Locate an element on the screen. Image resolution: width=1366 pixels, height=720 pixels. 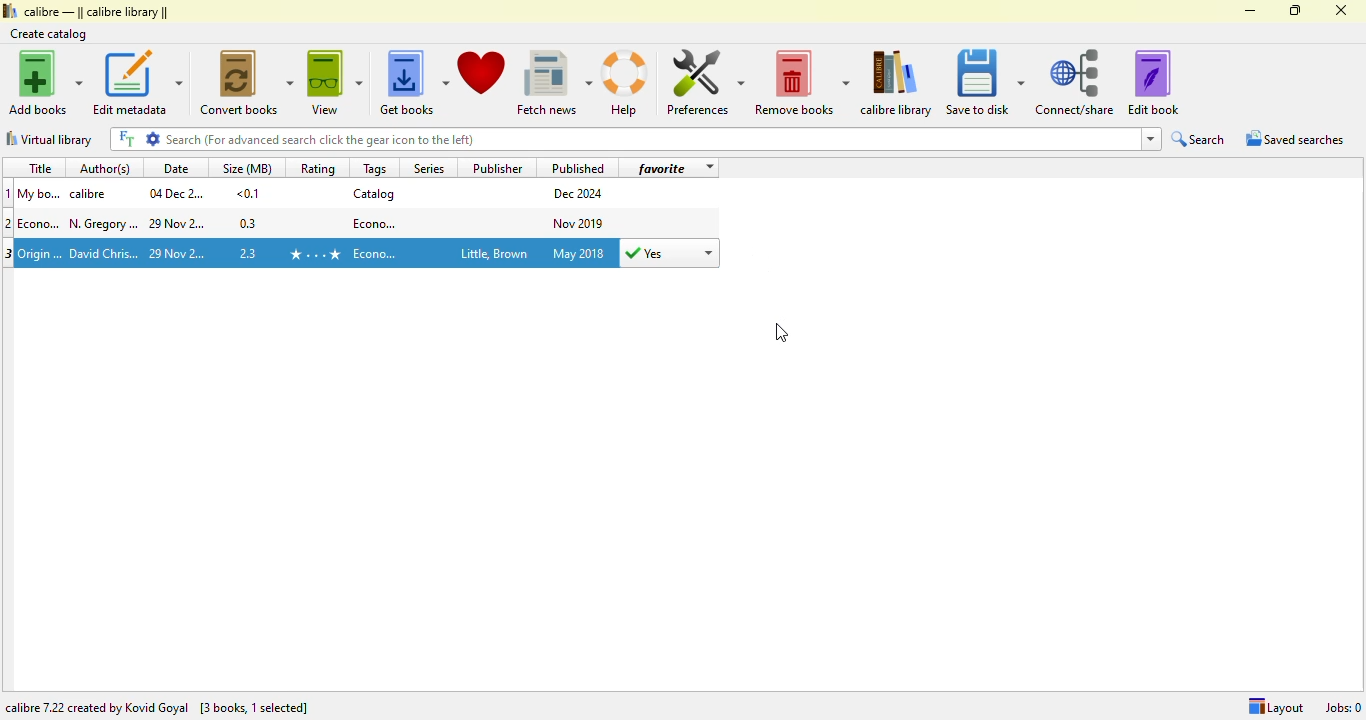
create catalog is located at coordinates (49, 34).